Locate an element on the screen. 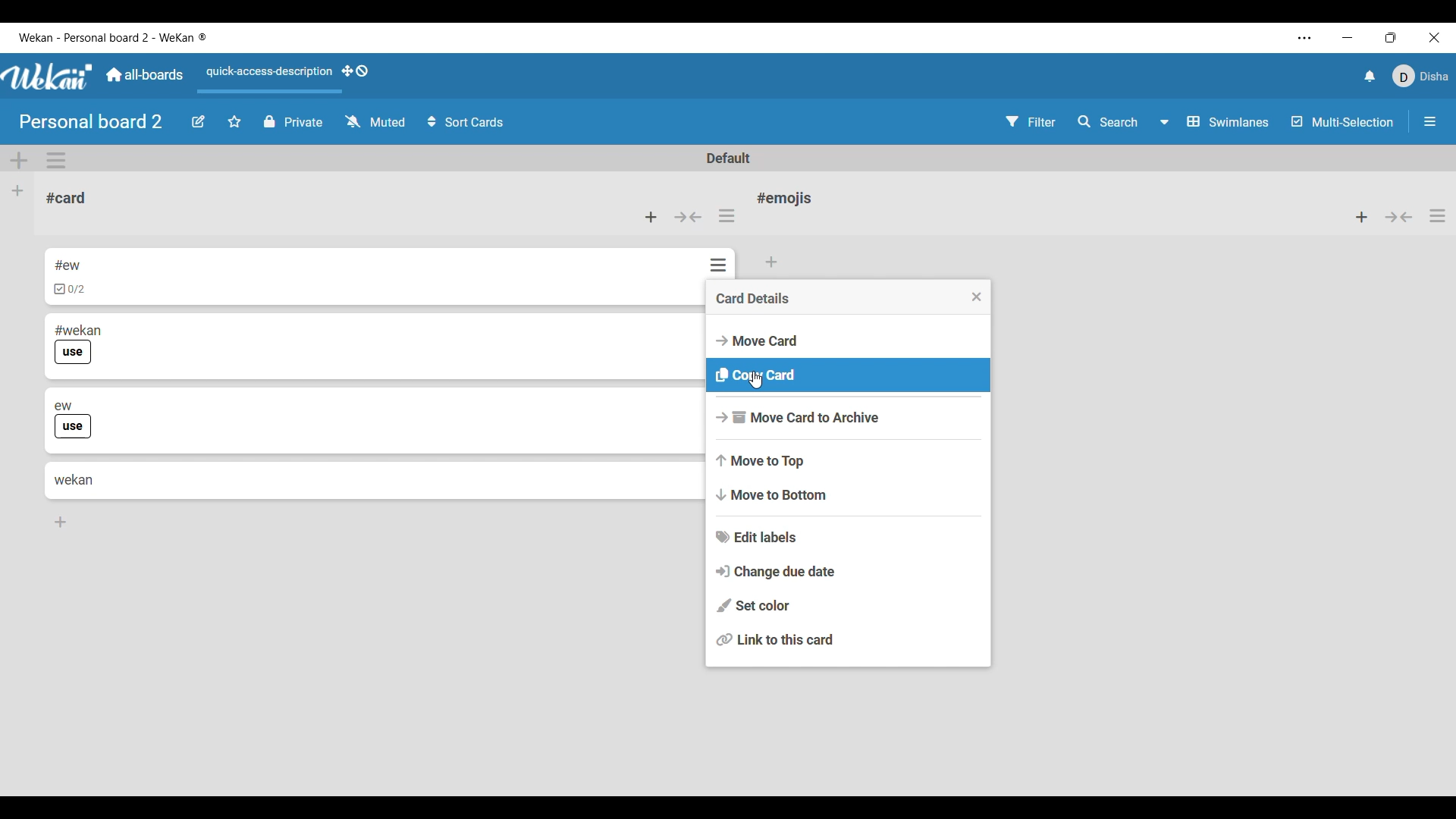 The image size is (1456, 819). Collapse is located at coordinates (1399, 217).